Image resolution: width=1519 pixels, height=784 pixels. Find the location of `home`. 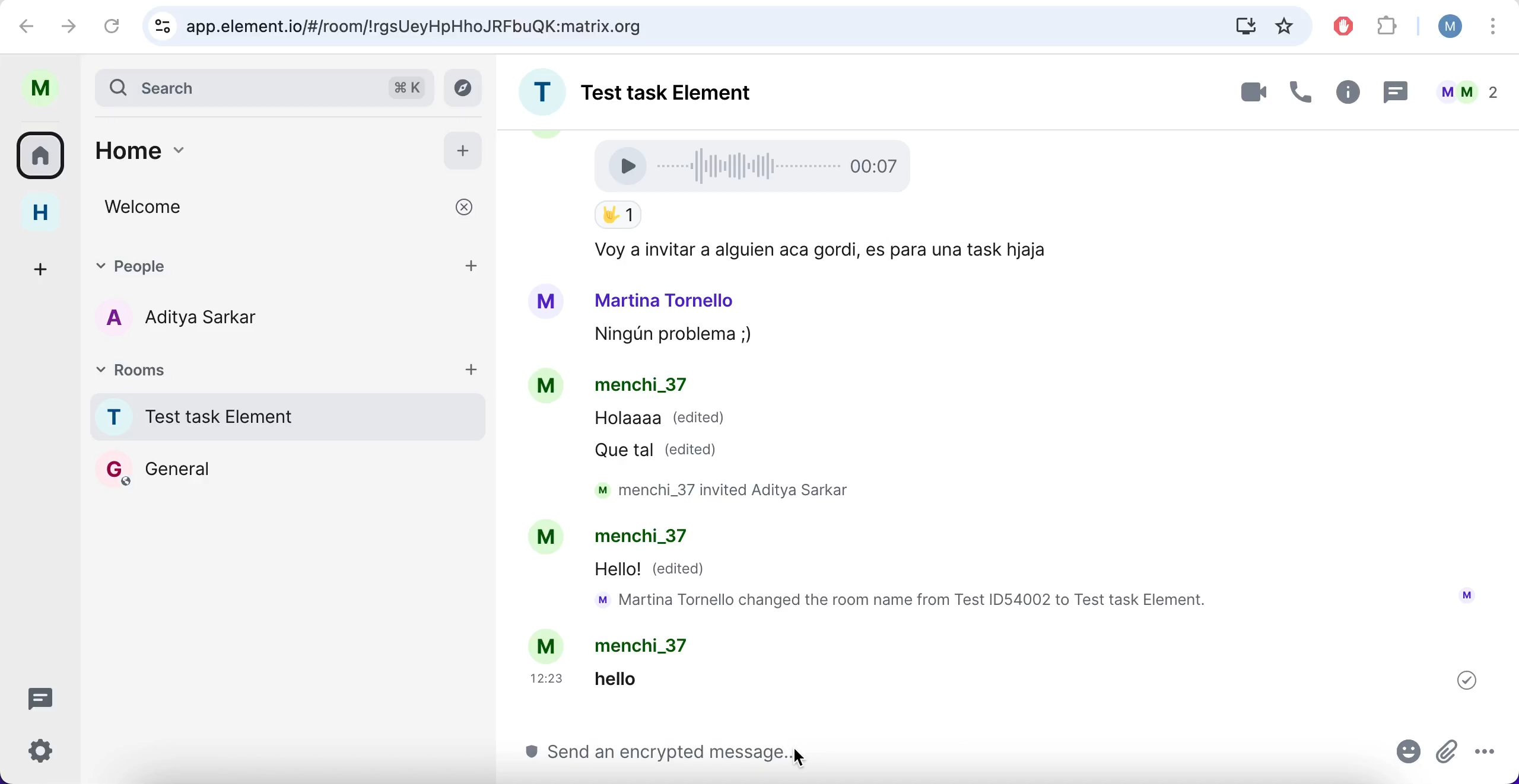

home is located at coordinates (49, 213).